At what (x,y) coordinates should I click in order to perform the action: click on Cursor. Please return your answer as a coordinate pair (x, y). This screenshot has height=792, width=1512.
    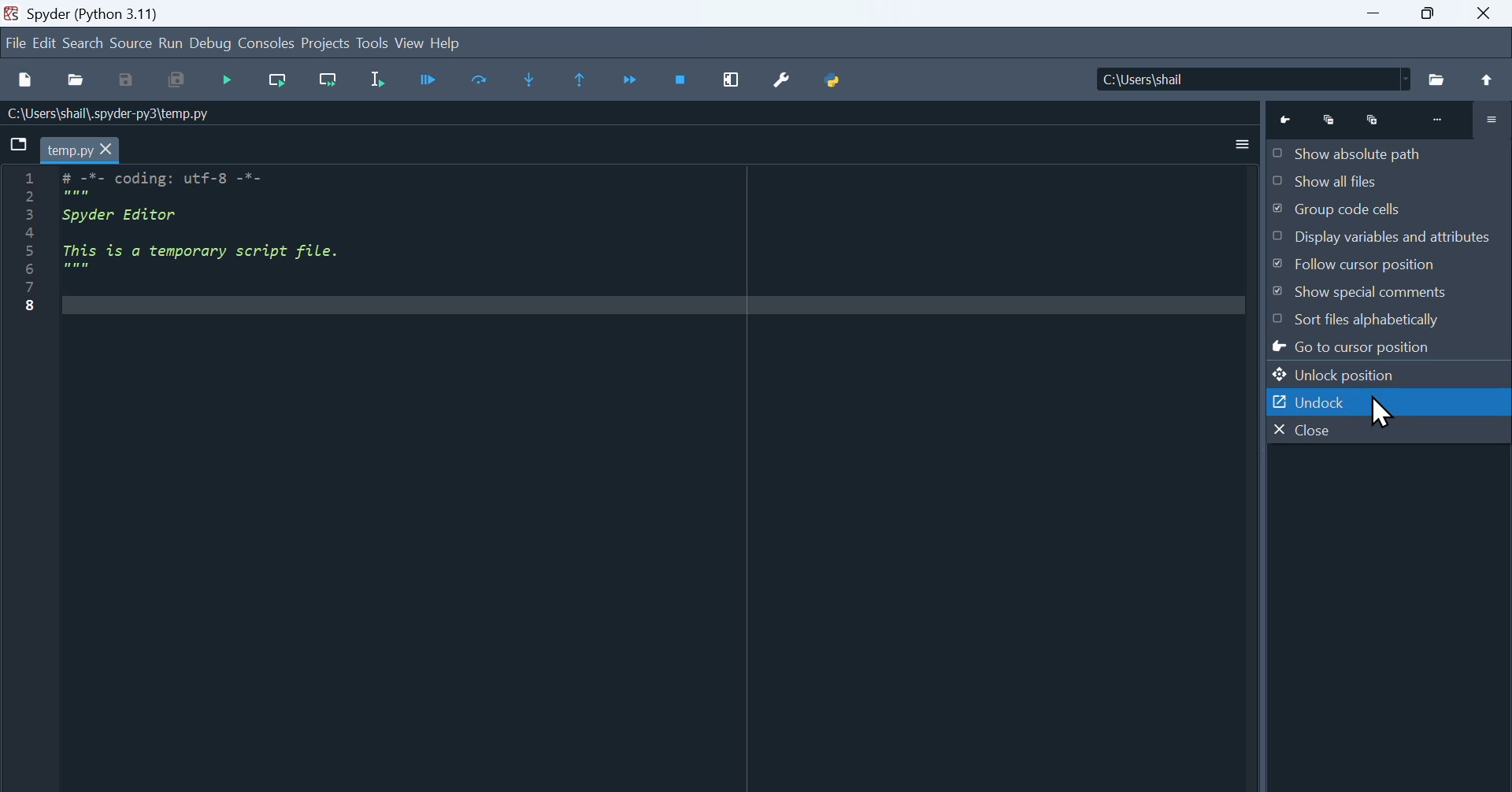
    Looking at the image, I should click on (1379, 410).